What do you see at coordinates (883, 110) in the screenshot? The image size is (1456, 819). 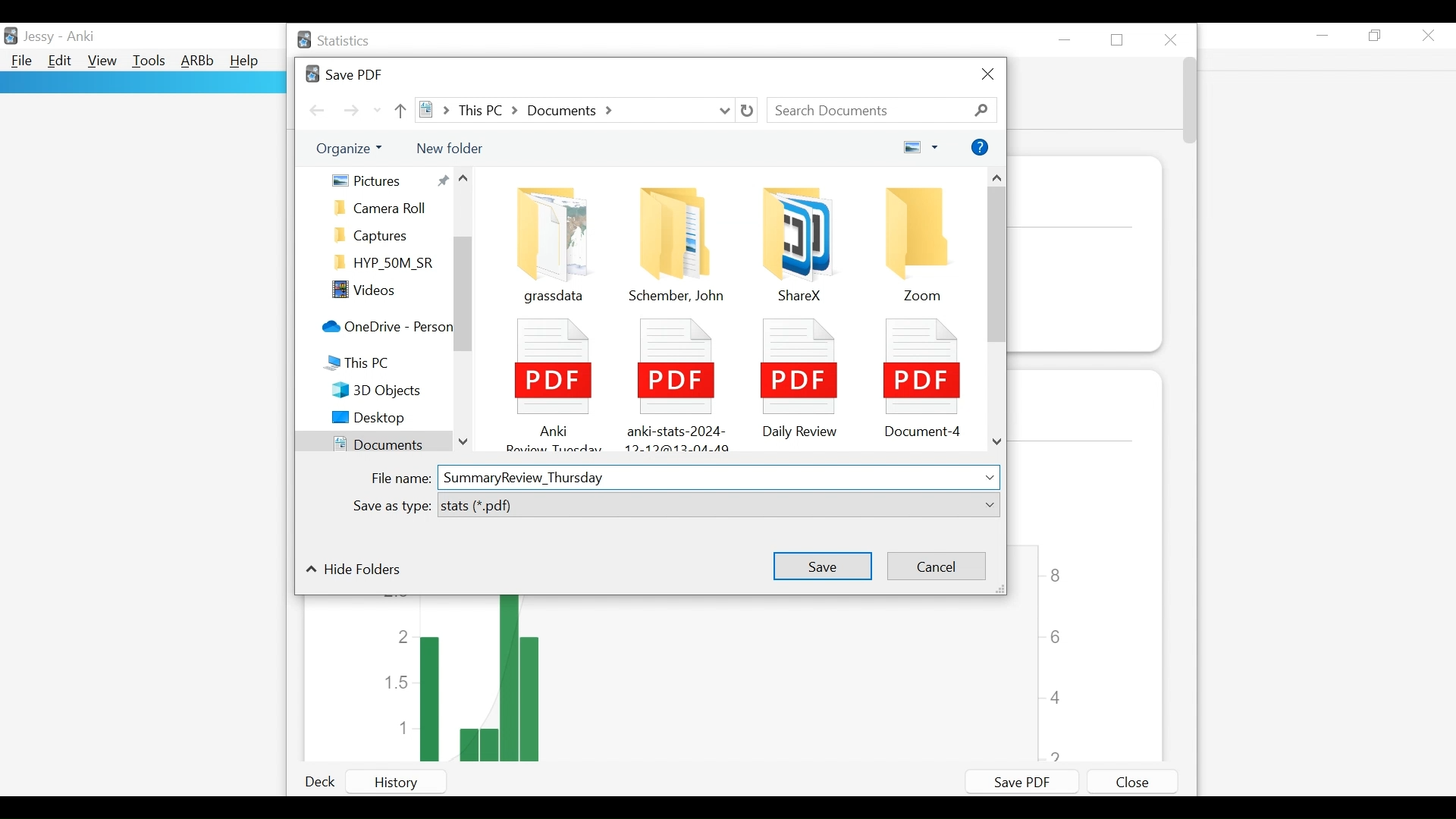 I see `Search Fields` at bounding box center [883, 110].